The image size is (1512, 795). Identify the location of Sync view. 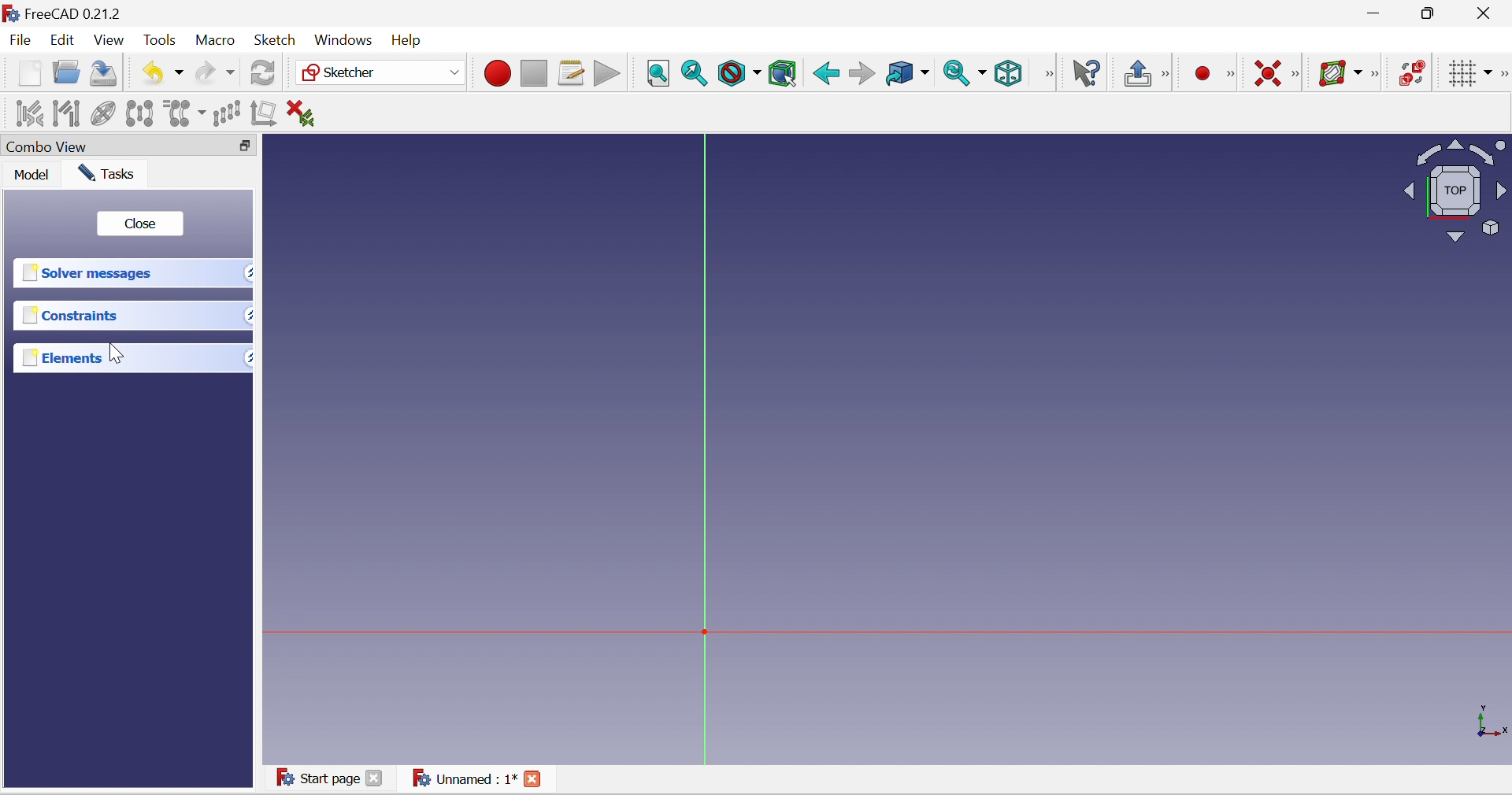
(962, 74).